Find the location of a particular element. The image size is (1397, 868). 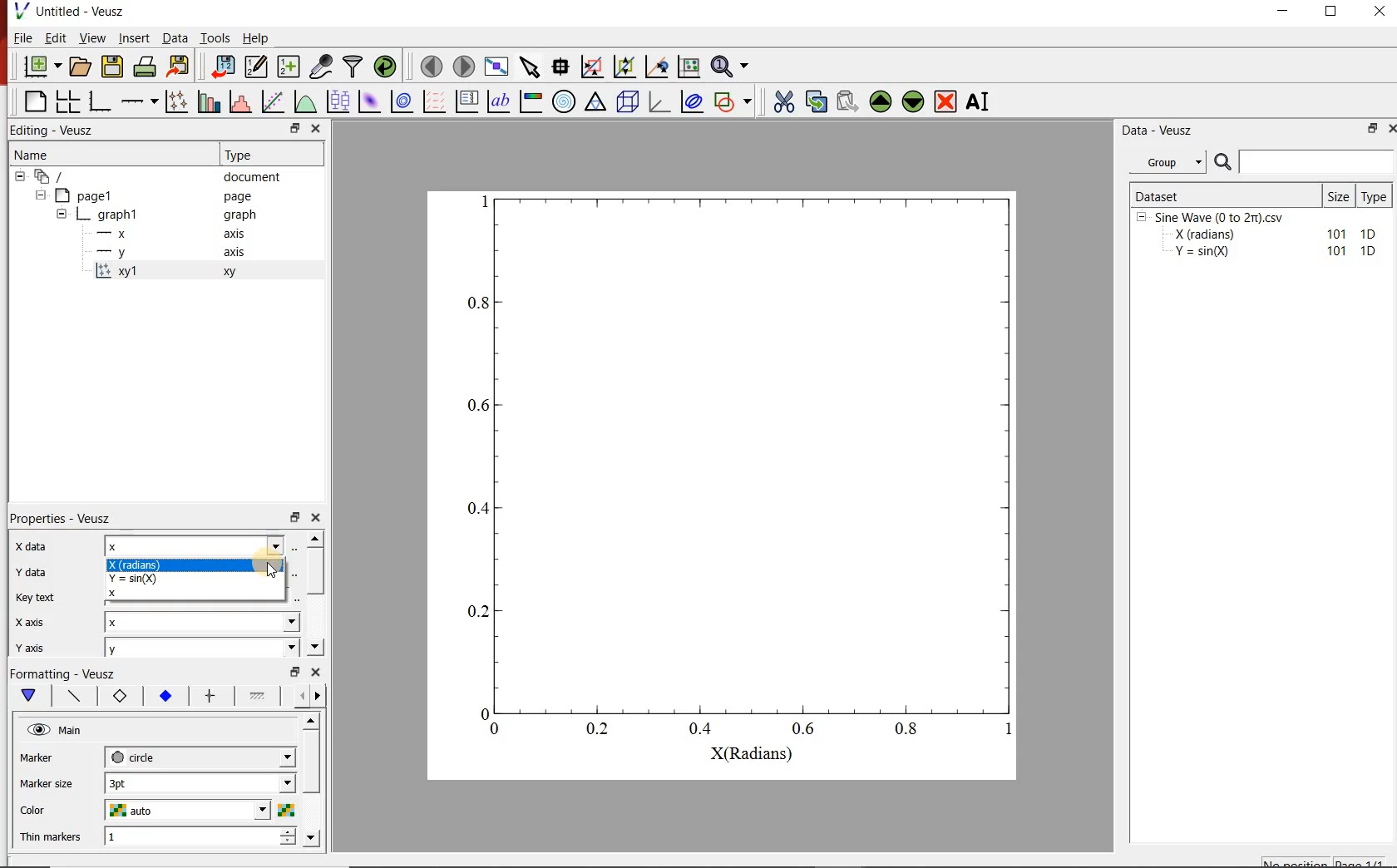

1.2 is located at coordinates (163, 697).